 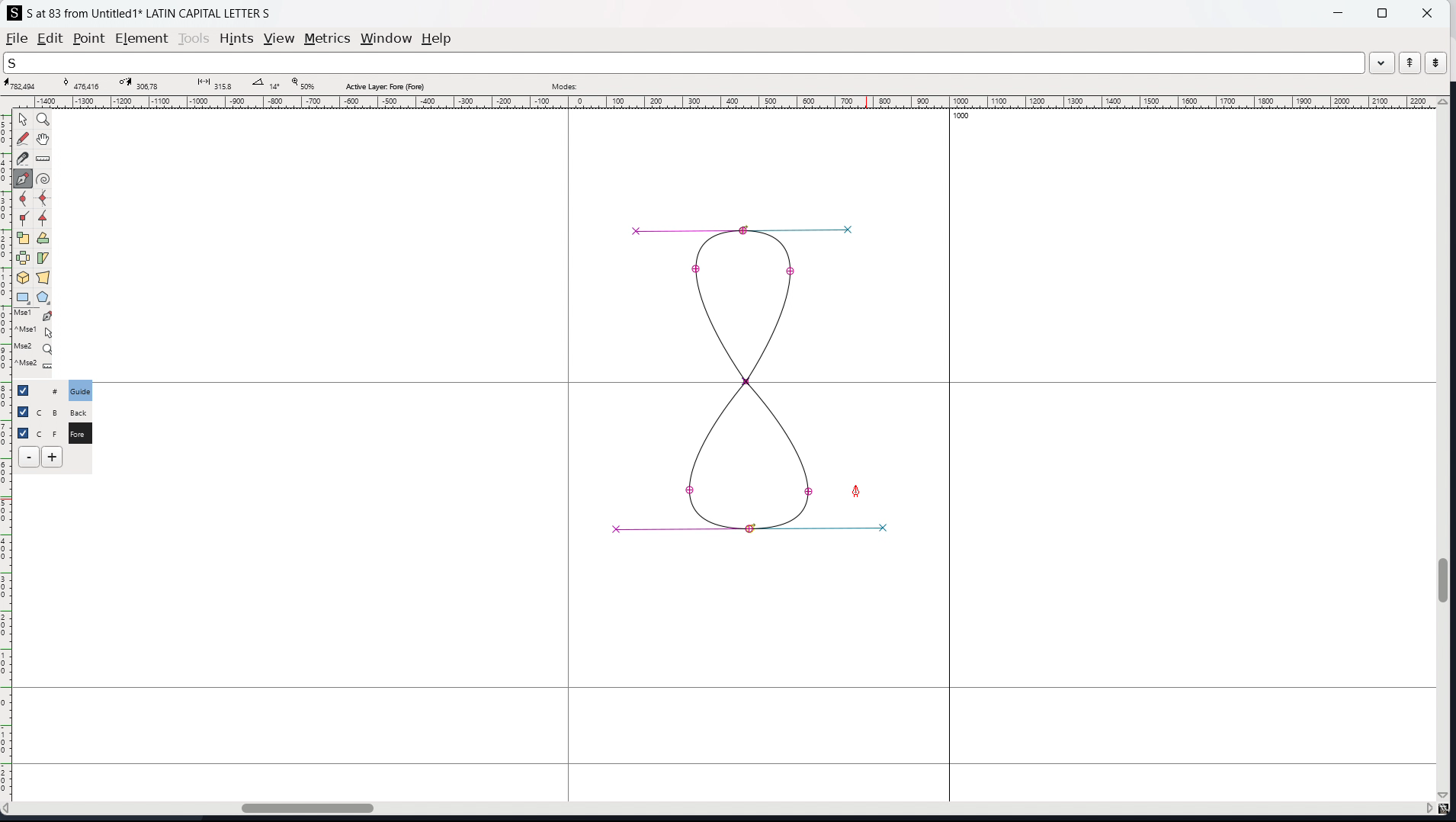 I want to click on active layer, so click(x=384, y=86).